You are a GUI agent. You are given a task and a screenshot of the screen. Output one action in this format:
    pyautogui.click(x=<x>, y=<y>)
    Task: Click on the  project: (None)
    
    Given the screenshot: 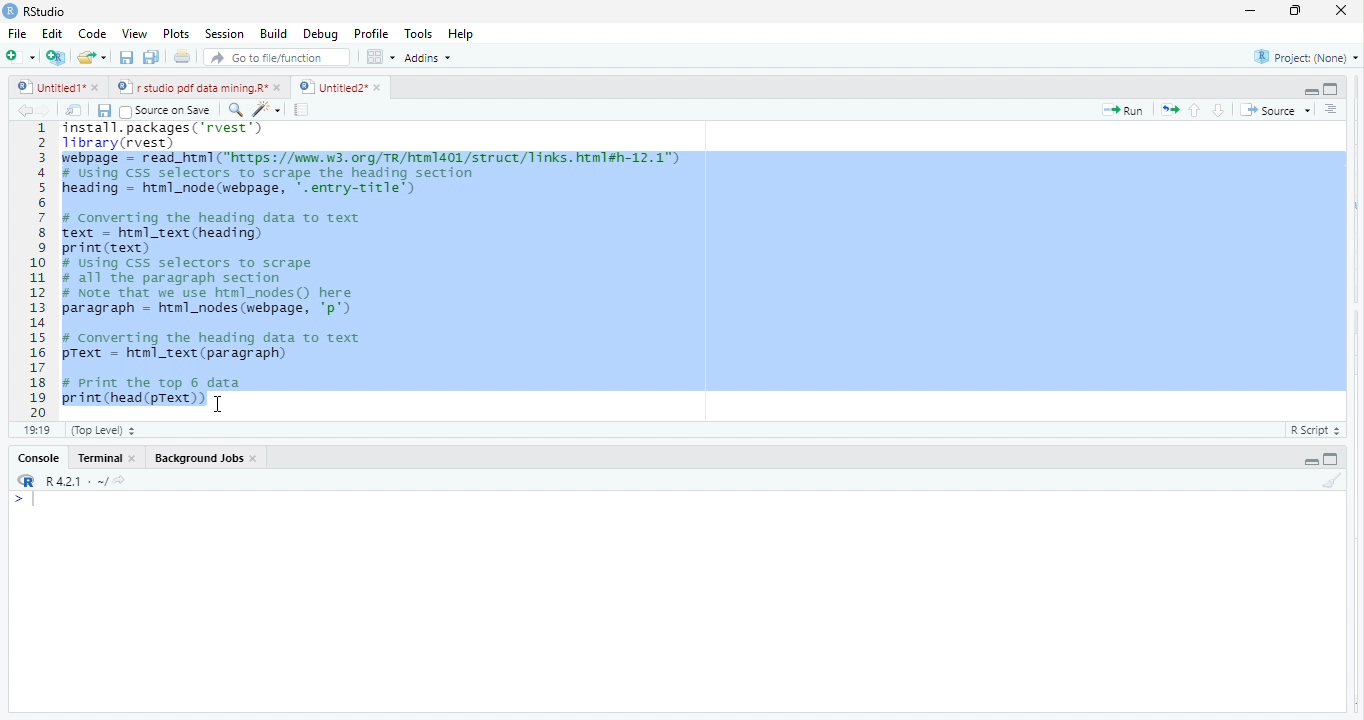 What is the action you would take?
    pyautogui.click(x=1307, y=60)
    